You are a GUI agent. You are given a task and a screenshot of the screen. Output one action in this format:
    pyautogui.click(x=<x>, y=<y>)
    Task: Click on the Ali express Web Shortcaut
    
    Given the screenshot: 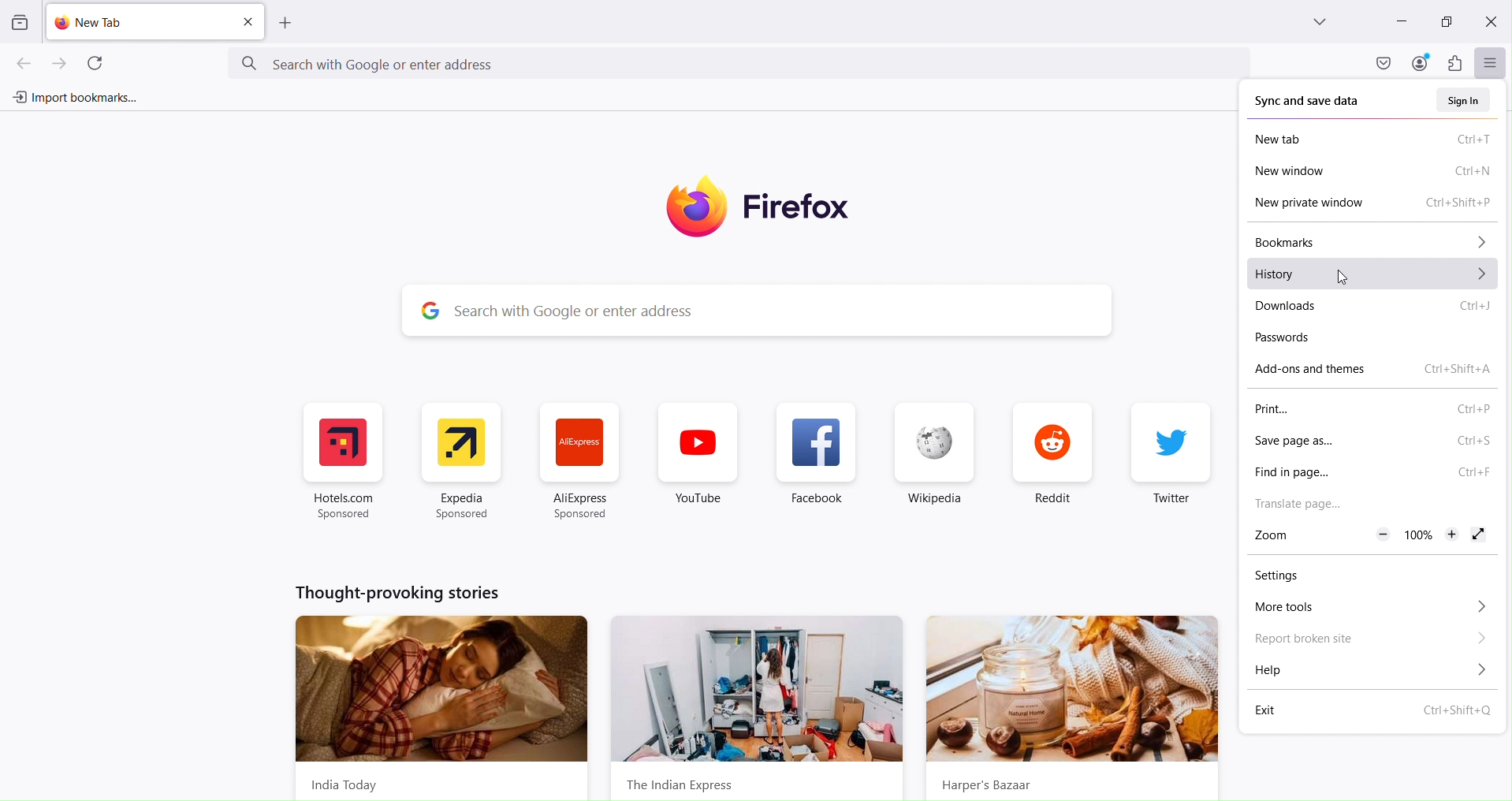 What is the action you would take?
    pyautogui.click(x=581, y=464)
    